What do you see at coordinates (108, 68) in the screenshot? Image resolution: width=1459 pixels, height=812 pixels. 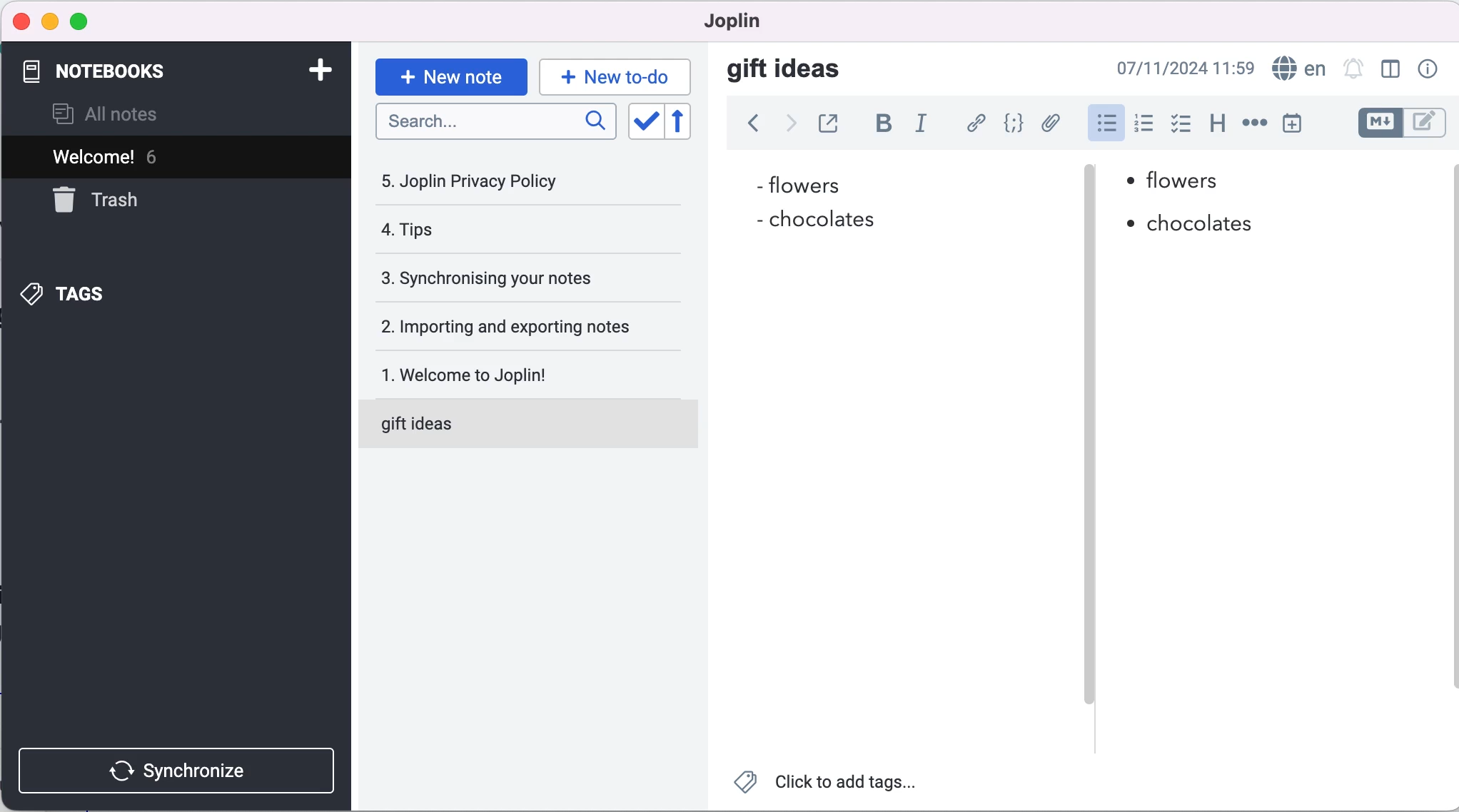 I see `notebooks` at bounding box center [108, 68].